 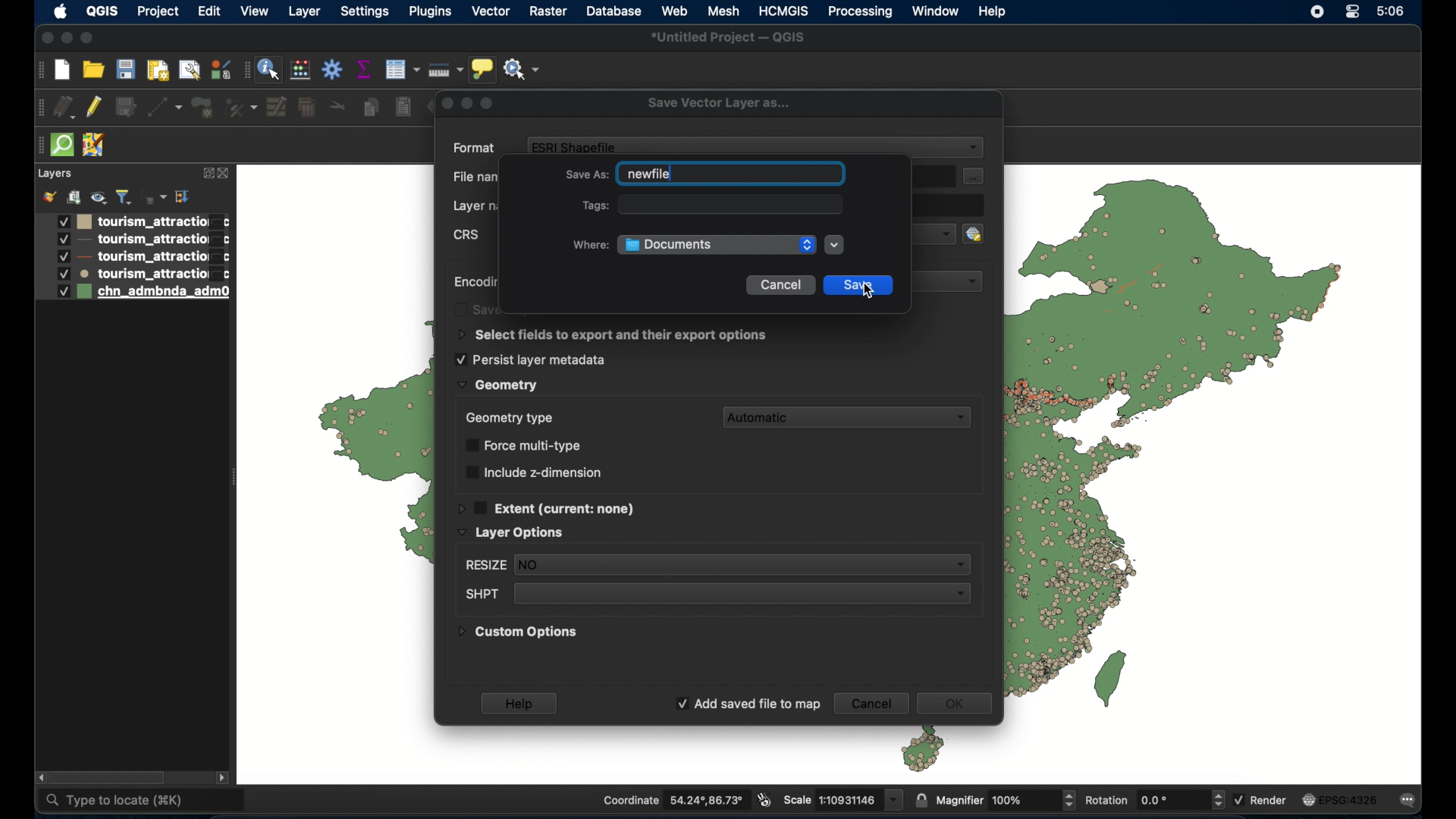 What do you see at coordinates (133, 240) in the screenshot?
I see `layer 2` at bounding box center [133, 240].